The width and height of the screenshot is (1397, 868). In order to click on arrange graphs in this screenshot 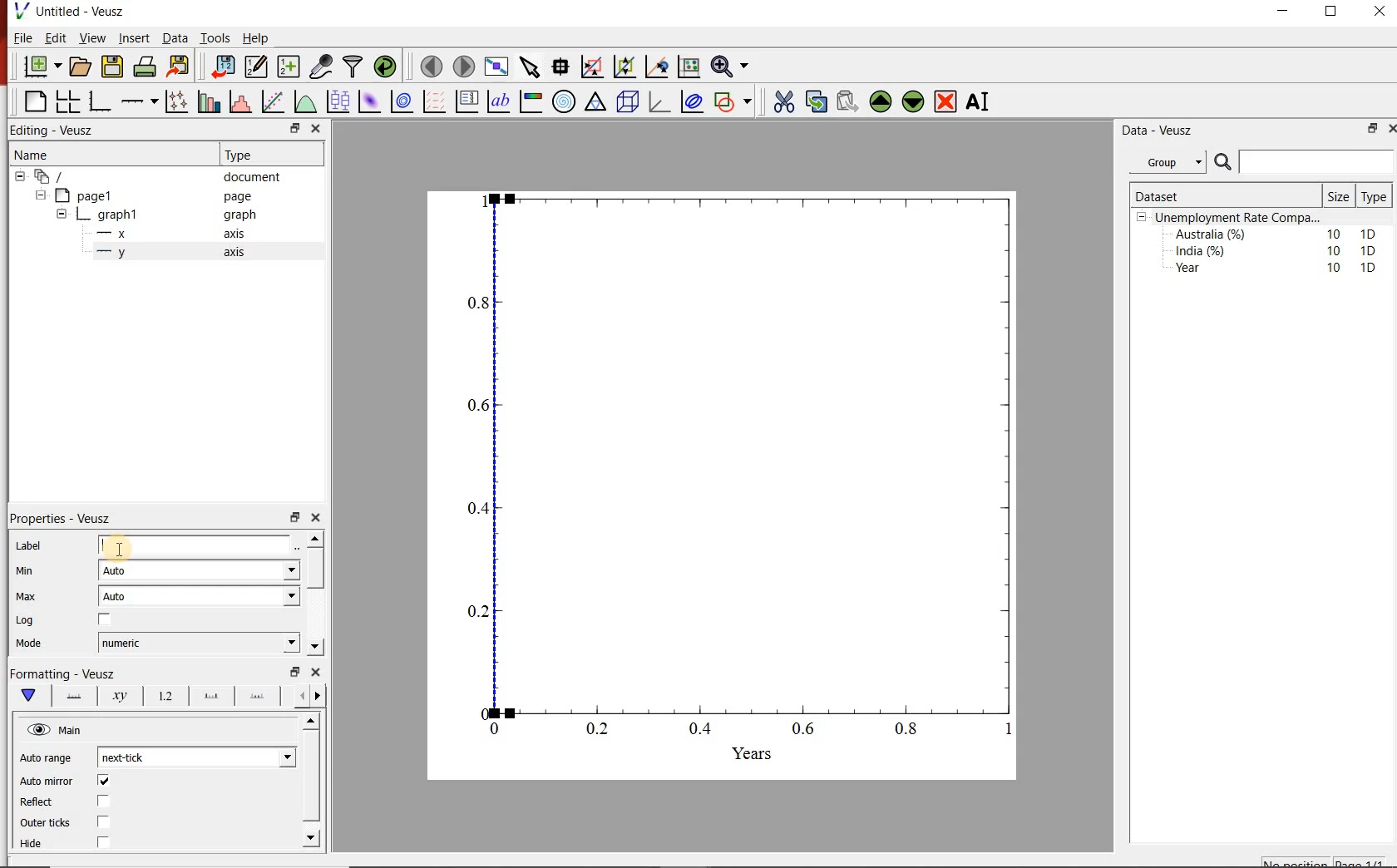, I will do `click(67, 101)`.